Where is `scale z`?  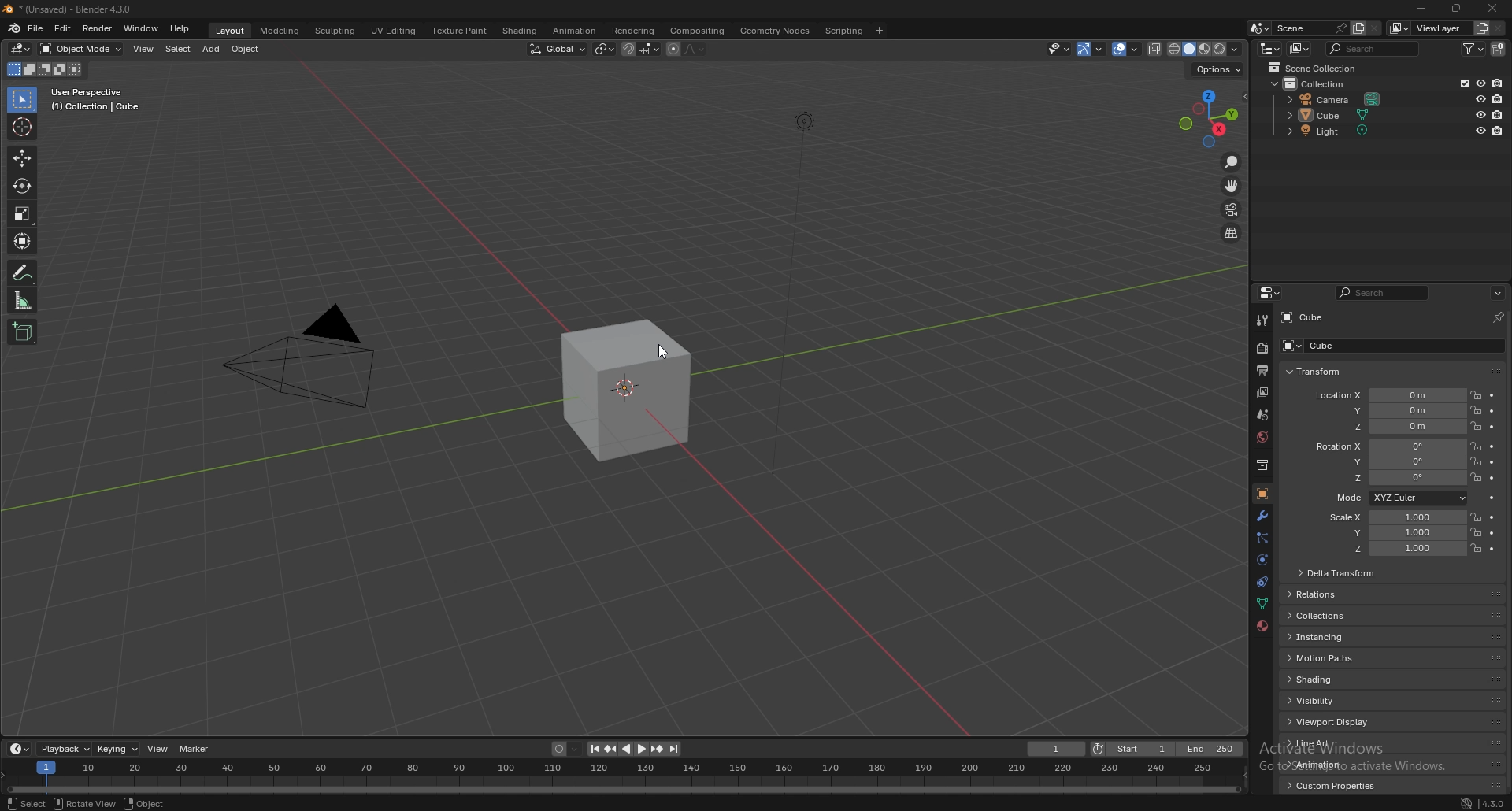 scale z is located at coordinates (1399, 550).